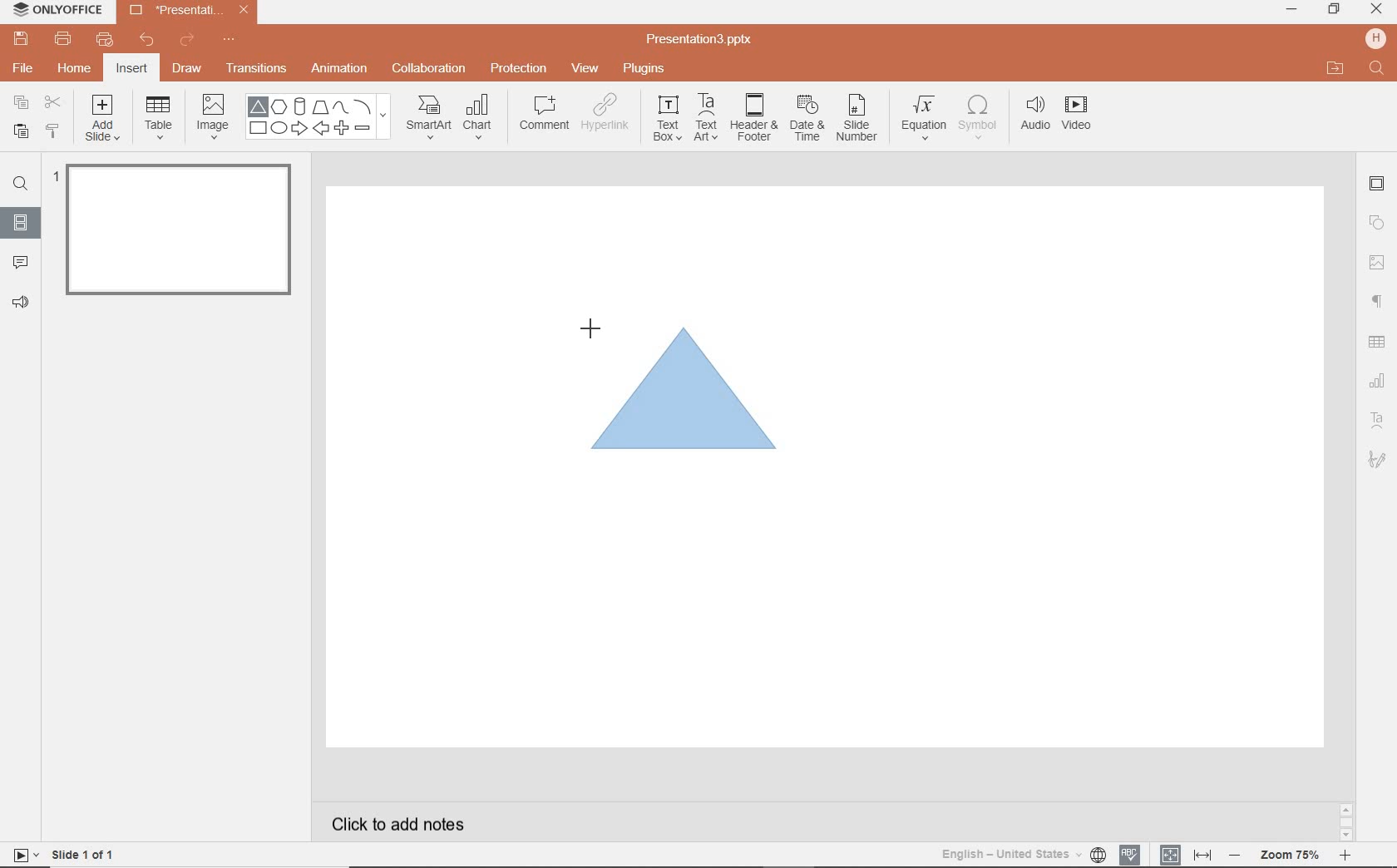 The width and height of the screenshot is (1397, 868). I want to click on FIND, so click(1378, 70).